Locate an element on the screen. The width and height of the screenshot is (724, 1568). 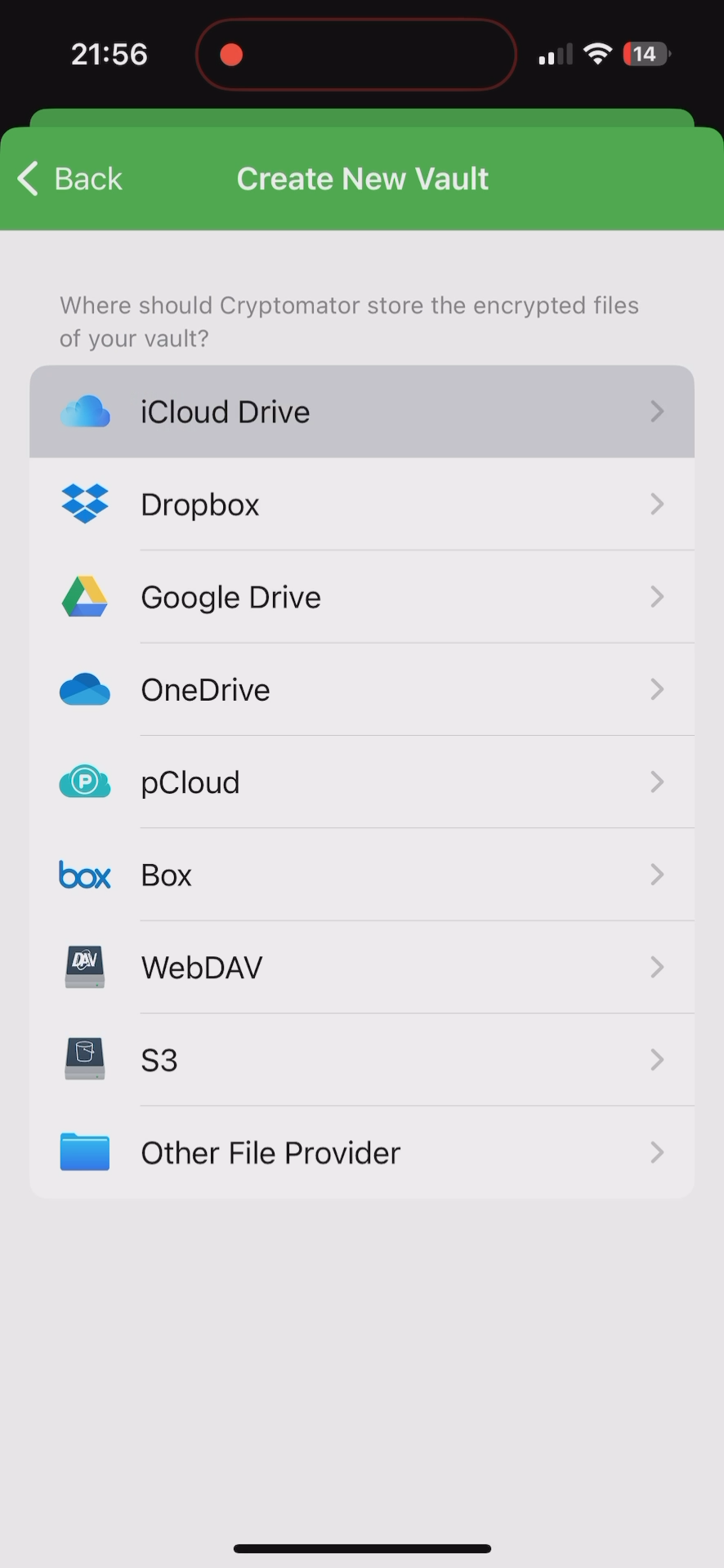
icloud drive is located at coordinates (362, 407).